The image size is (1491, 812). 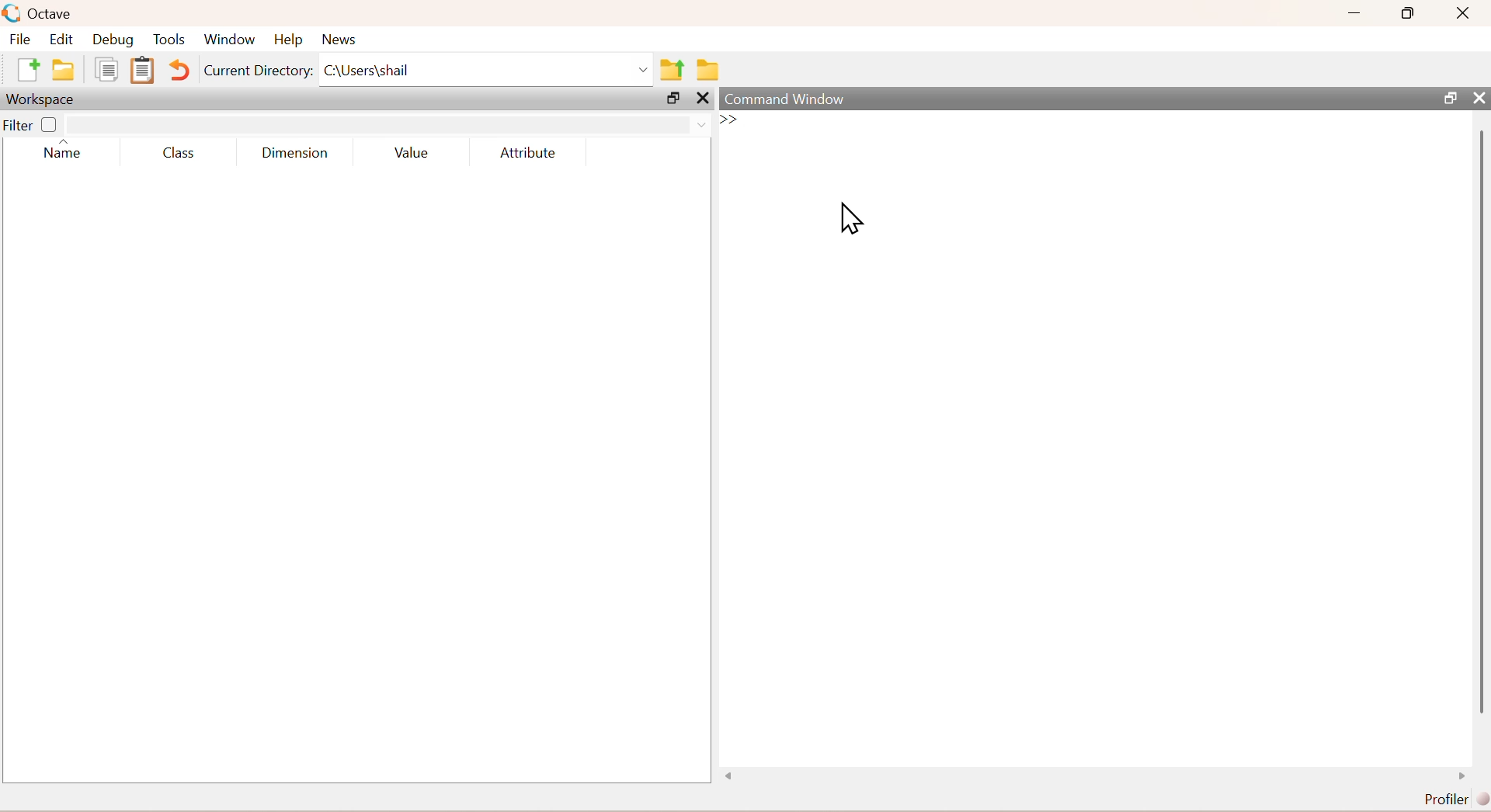 I want to click on scroll right, so click(x=1462, y=776).